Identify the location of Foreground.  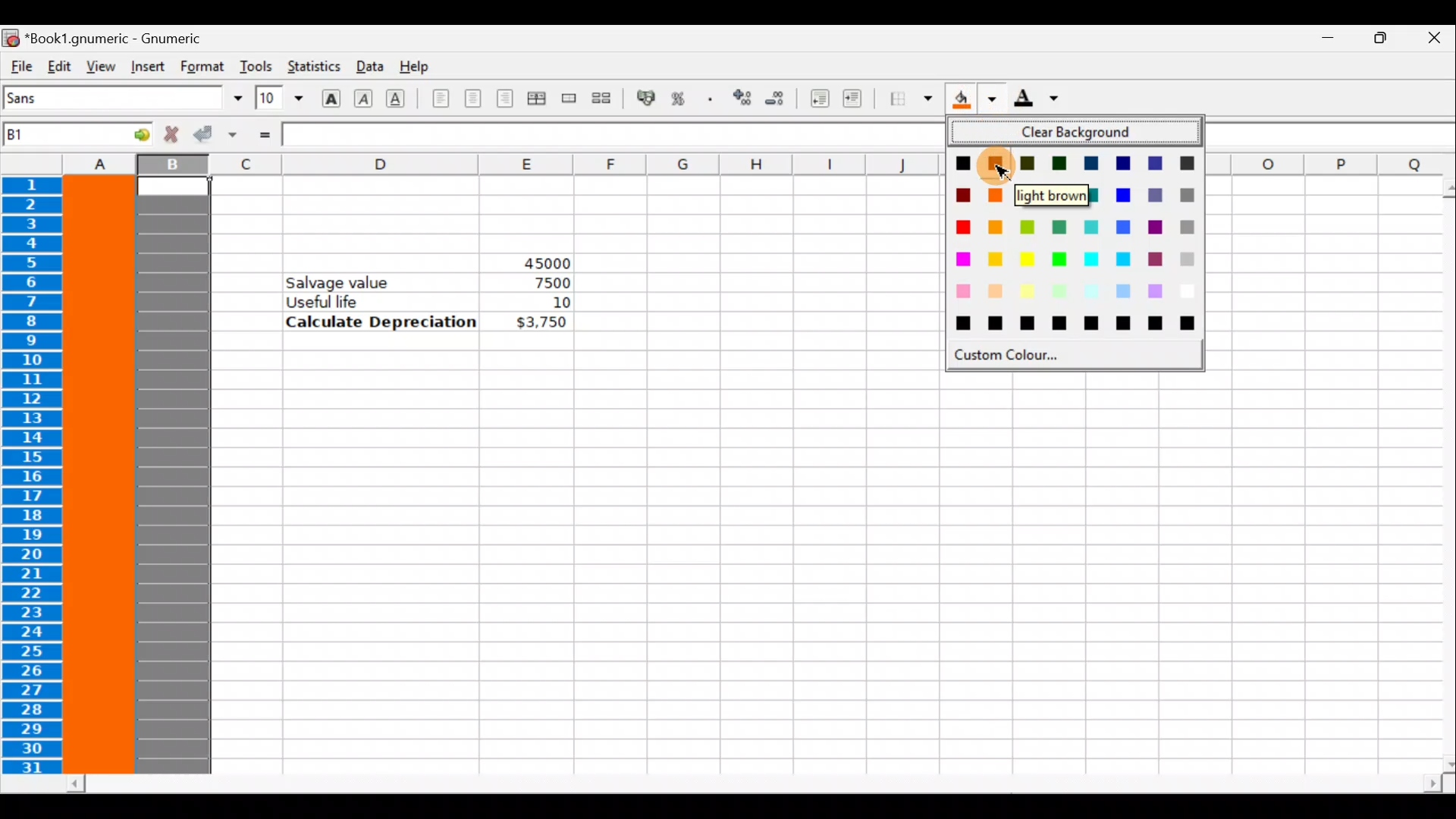
(1041, 99).